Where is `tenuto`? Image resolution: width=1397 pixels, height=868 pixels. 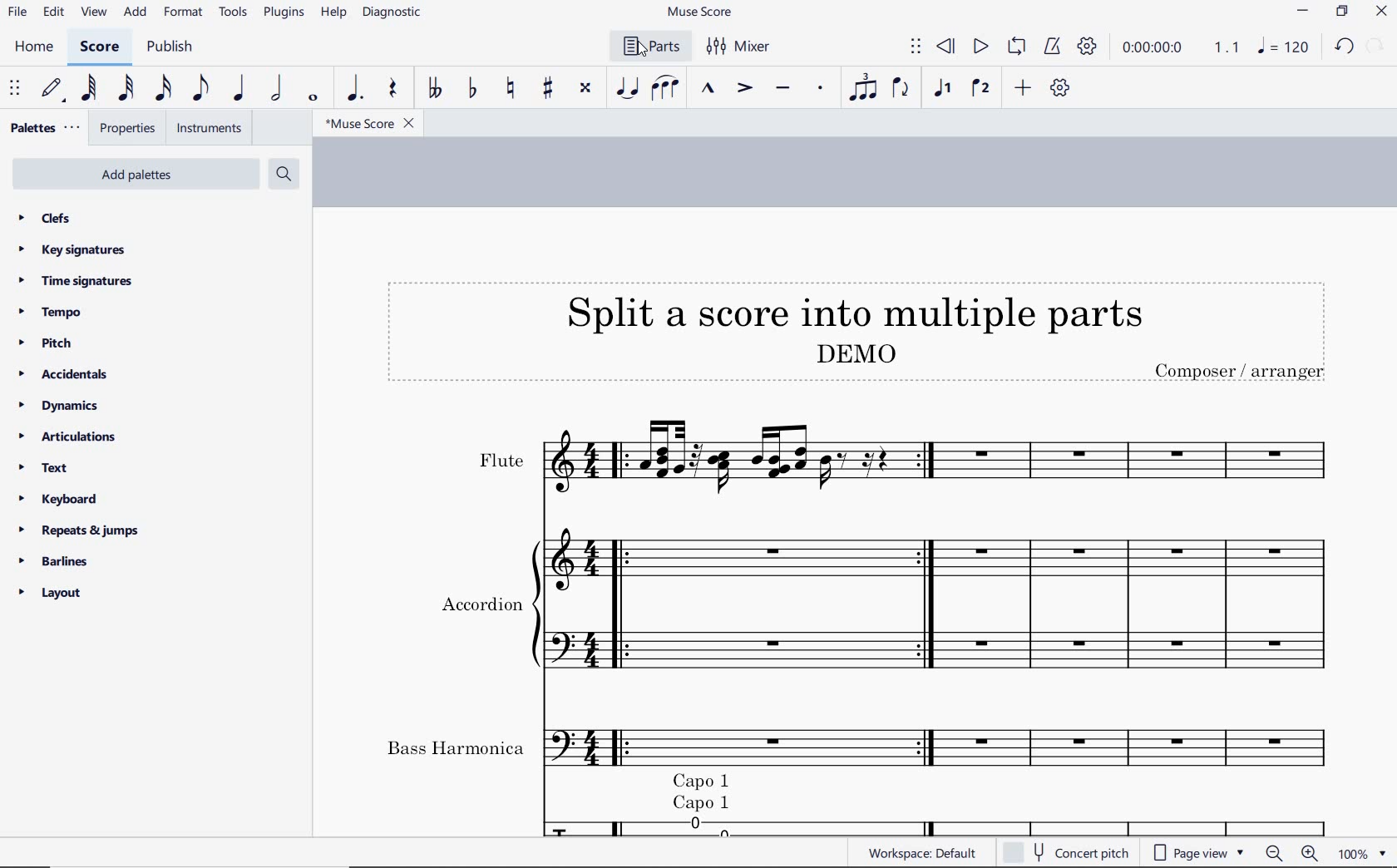 tenuto is located at coordinates (782, 89).